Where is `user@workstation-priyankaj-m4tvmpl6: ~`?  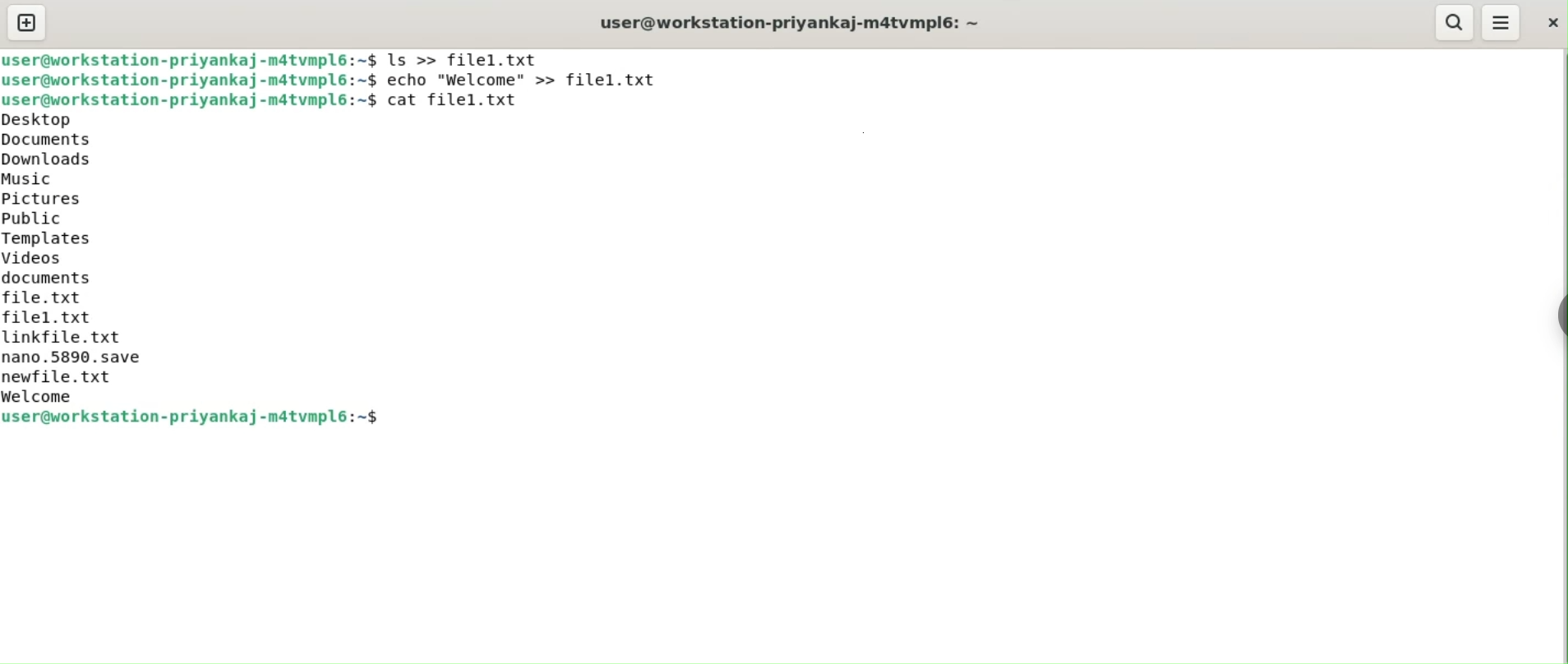 user@workstation-priyankaj-m4tvmpl6: ~ is located at coordinates (792, 22).